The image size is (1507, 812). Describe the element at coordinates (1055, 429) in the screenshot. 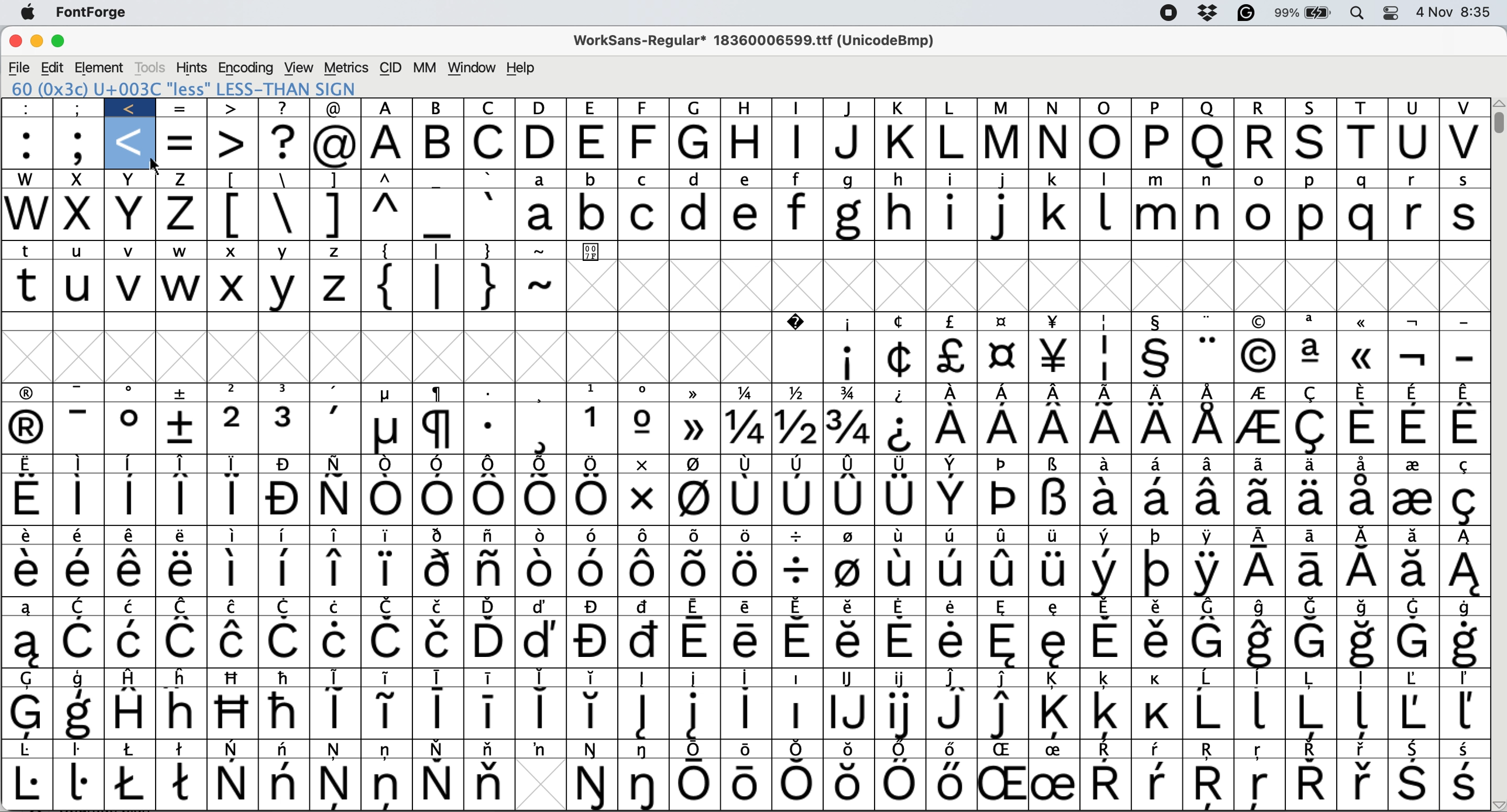

I see `Symbol` at that location.